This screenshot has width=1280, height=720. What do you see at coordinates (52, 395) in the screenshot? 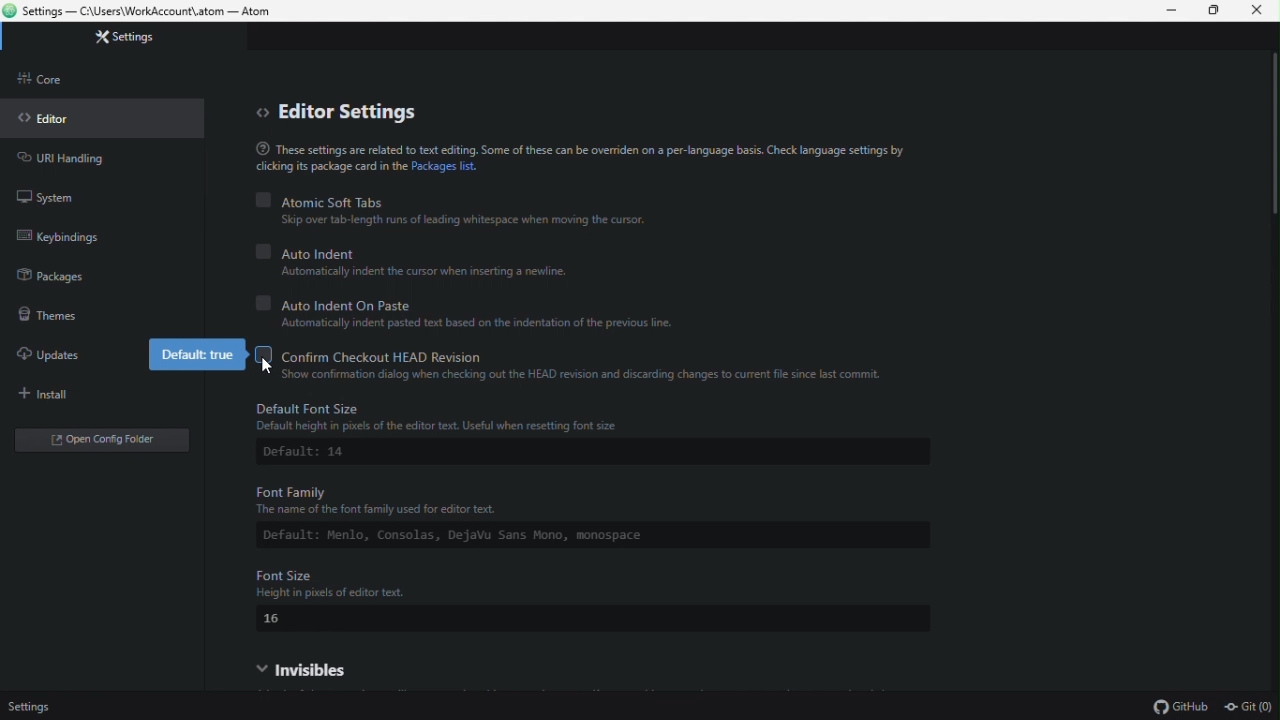
I see `Install` at bounding box center [52, 395].